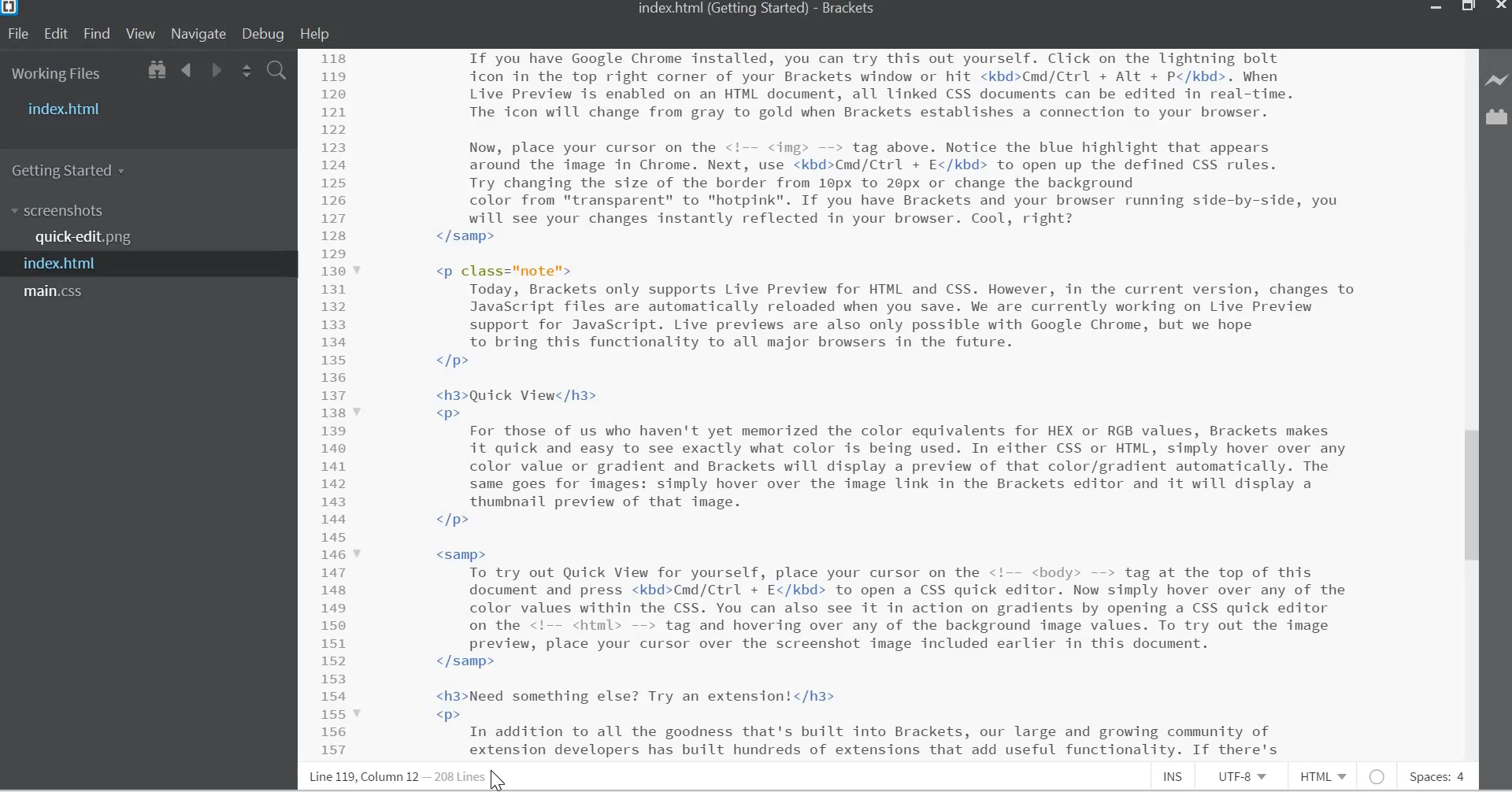 The image size is (1512, 792). What do you see at coordinates (17, 34) in the screenshot?
I see `File` at bounding box center [17, 34].